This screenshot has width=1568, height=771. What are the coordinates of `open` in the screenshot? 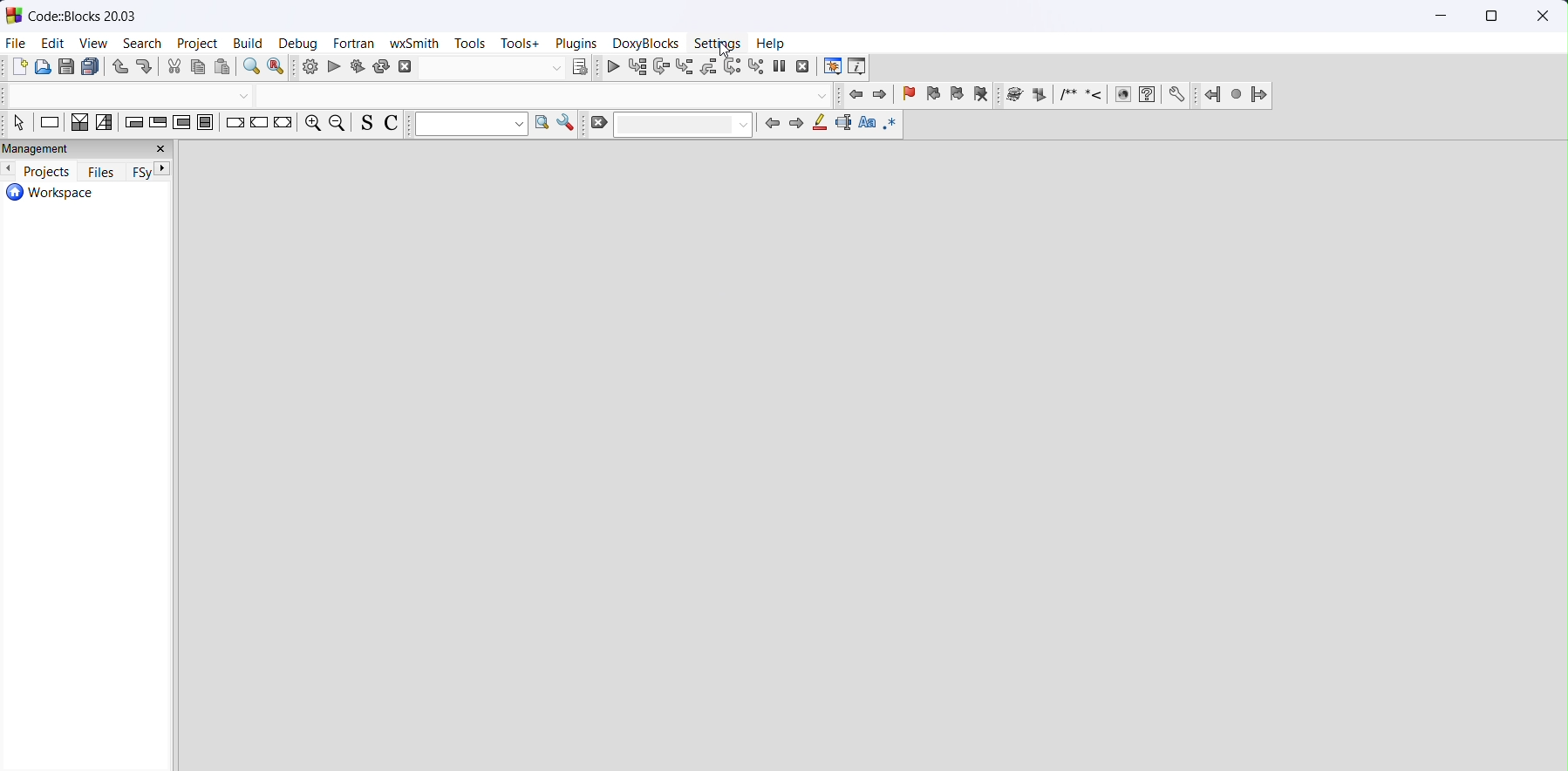 It's located at (44, 67).